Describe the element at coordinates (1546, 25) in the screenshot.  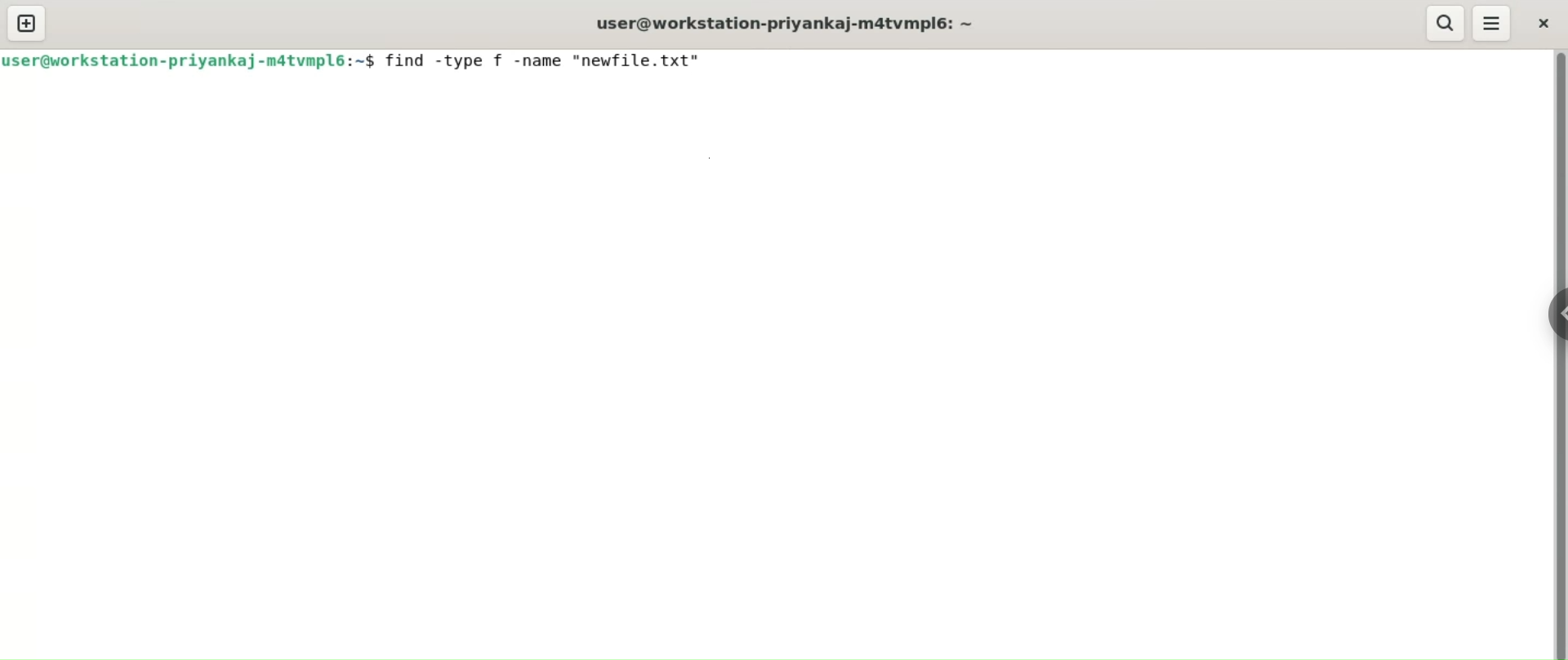
I see `close` at that location.